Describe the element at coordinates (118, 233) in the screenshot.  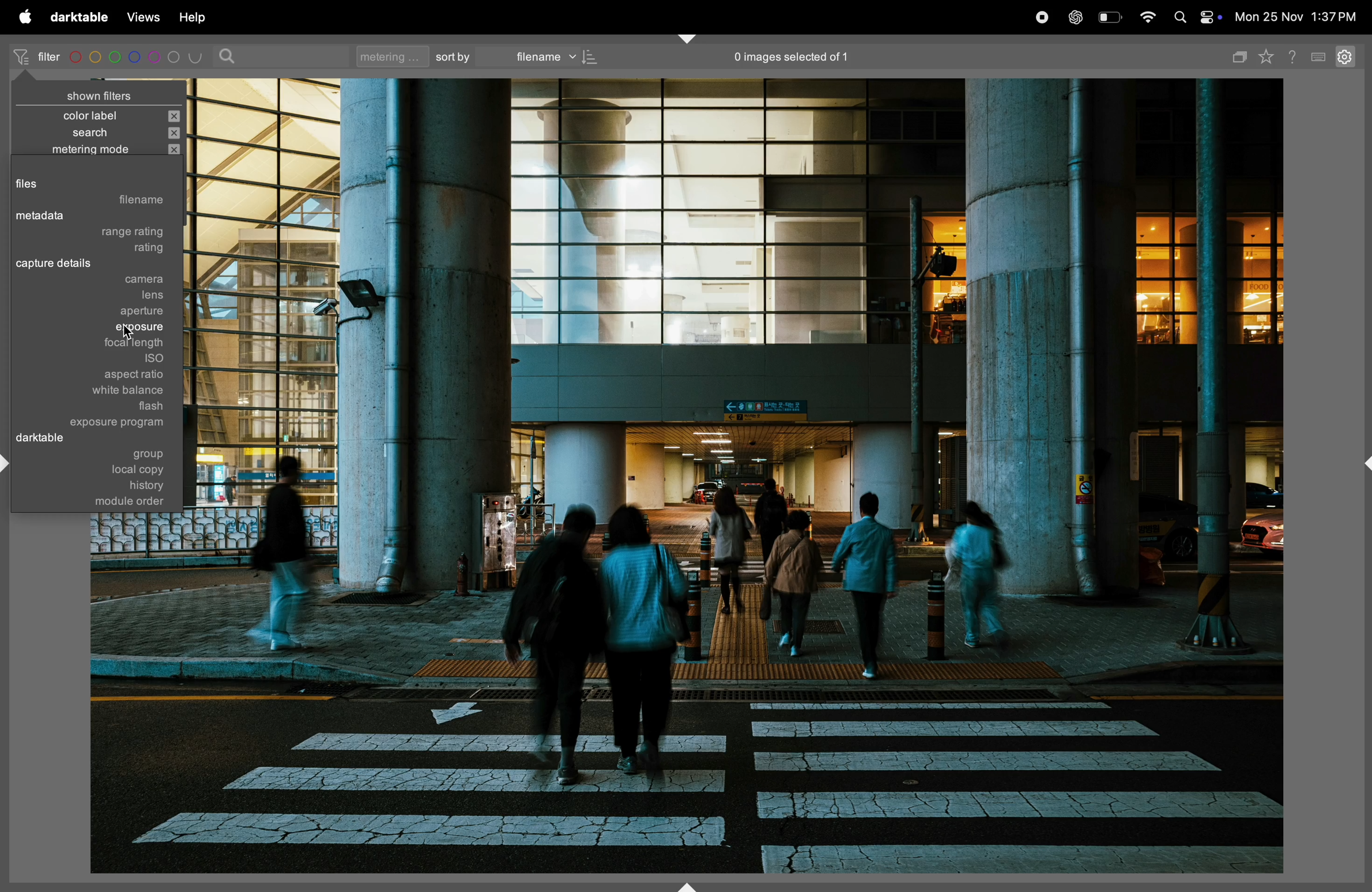
I see `range rating` at that location.